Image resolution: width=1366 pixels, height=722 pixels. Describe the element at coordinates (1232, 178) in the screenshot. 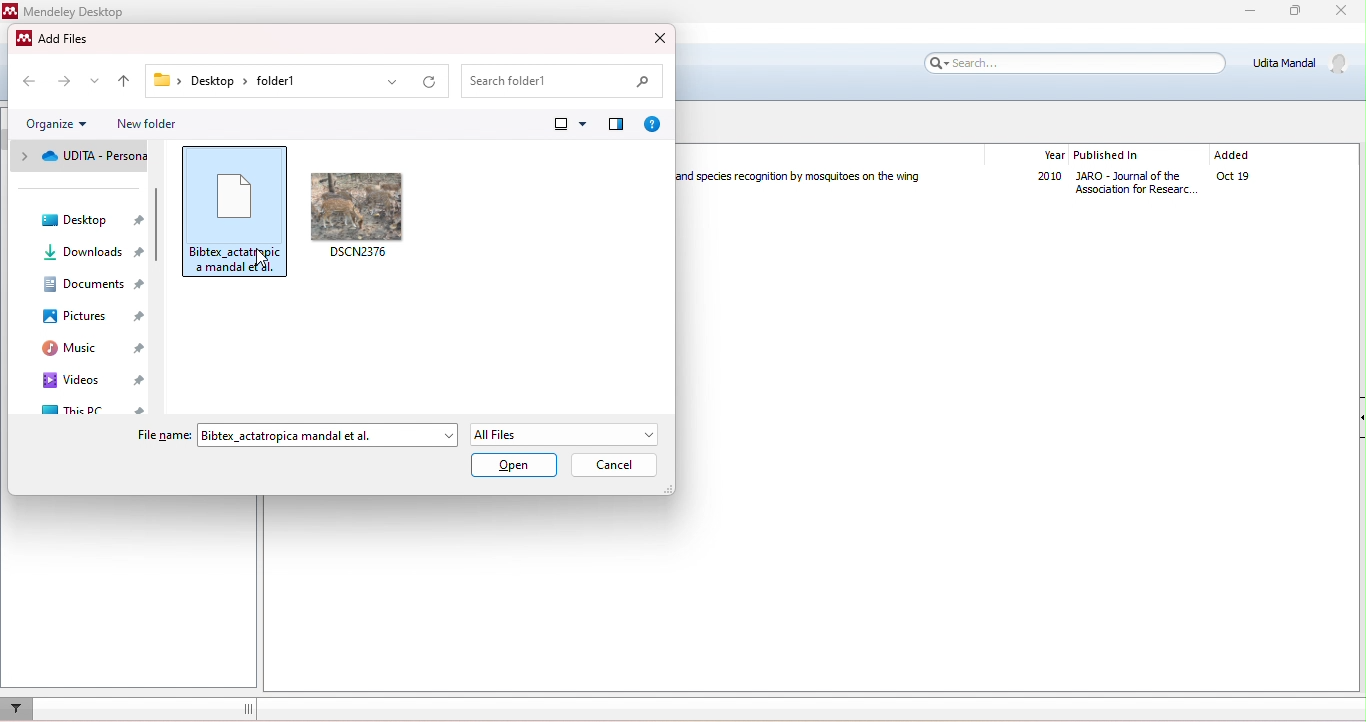

I see `oct19` at that location.